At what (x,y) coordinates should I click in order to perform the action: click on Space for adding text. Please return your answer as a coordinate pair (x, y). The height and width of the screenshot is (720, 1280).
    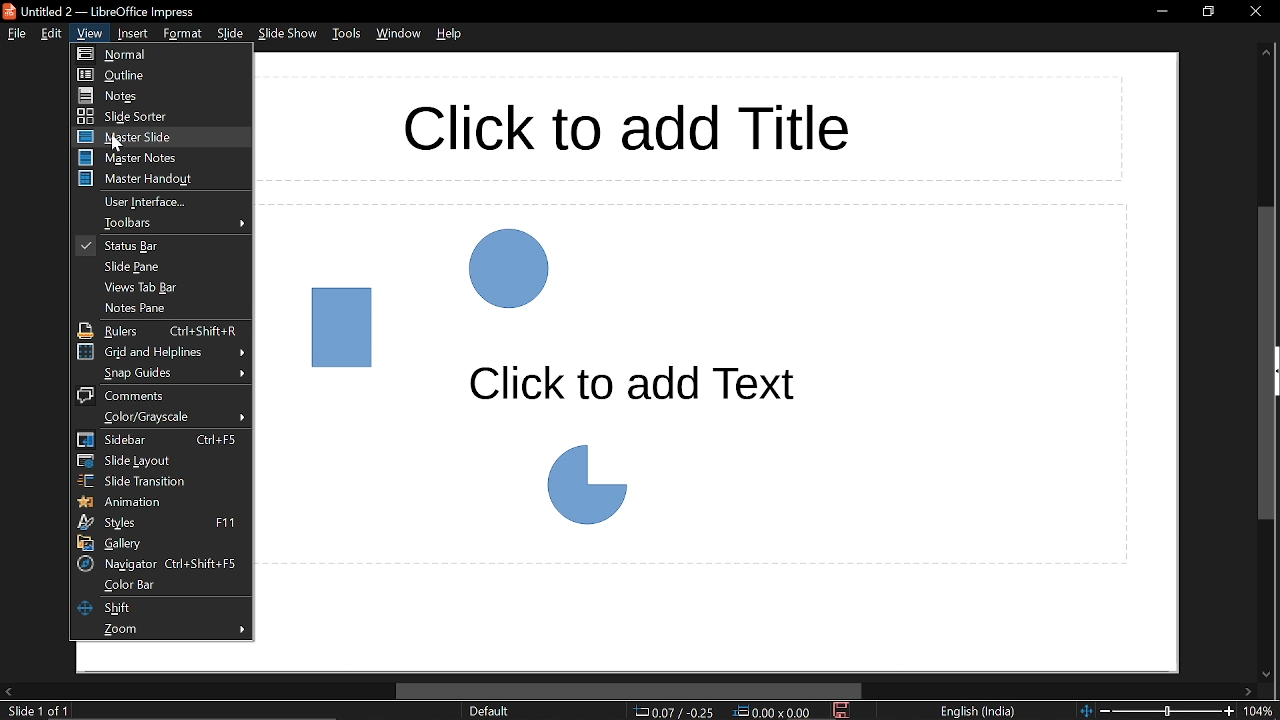
    Looking at the image, I should click on (694, 385).